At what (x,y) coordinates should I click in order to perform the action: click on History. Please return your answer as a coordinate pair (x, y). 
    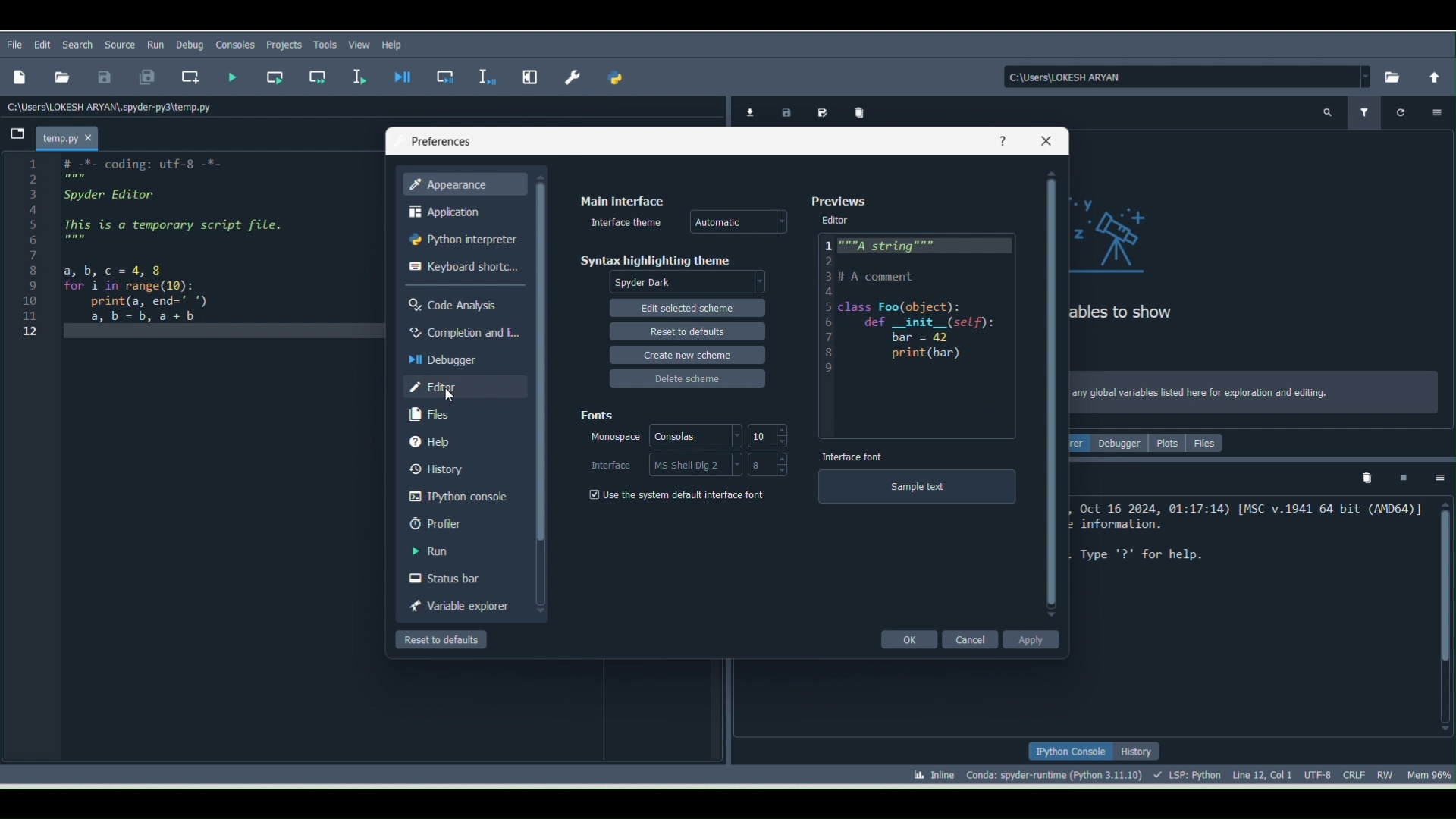
    Looking at the image, I should click on (1139, 752).